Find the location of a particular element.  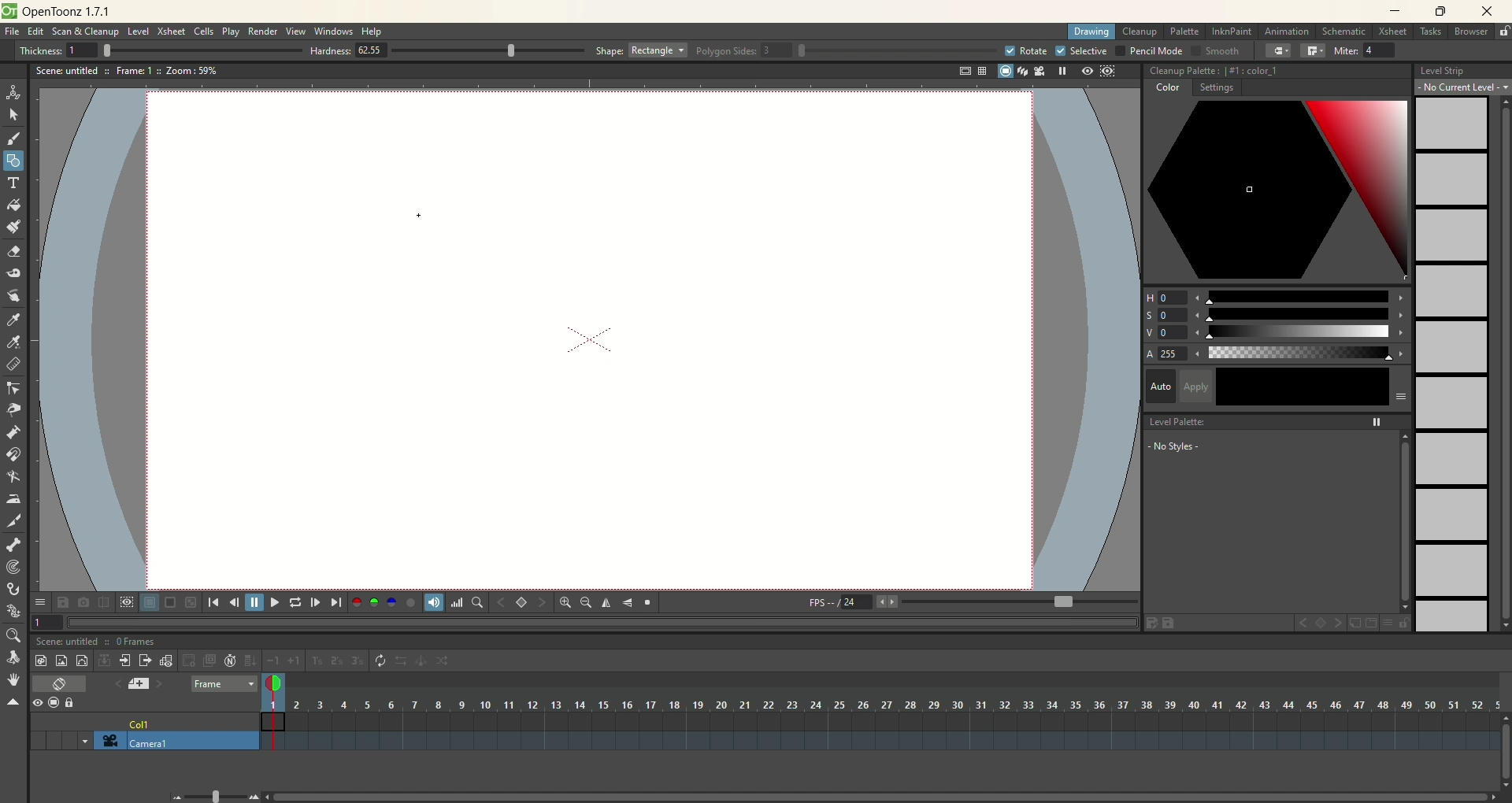

view is located at coordinates (296, 31).